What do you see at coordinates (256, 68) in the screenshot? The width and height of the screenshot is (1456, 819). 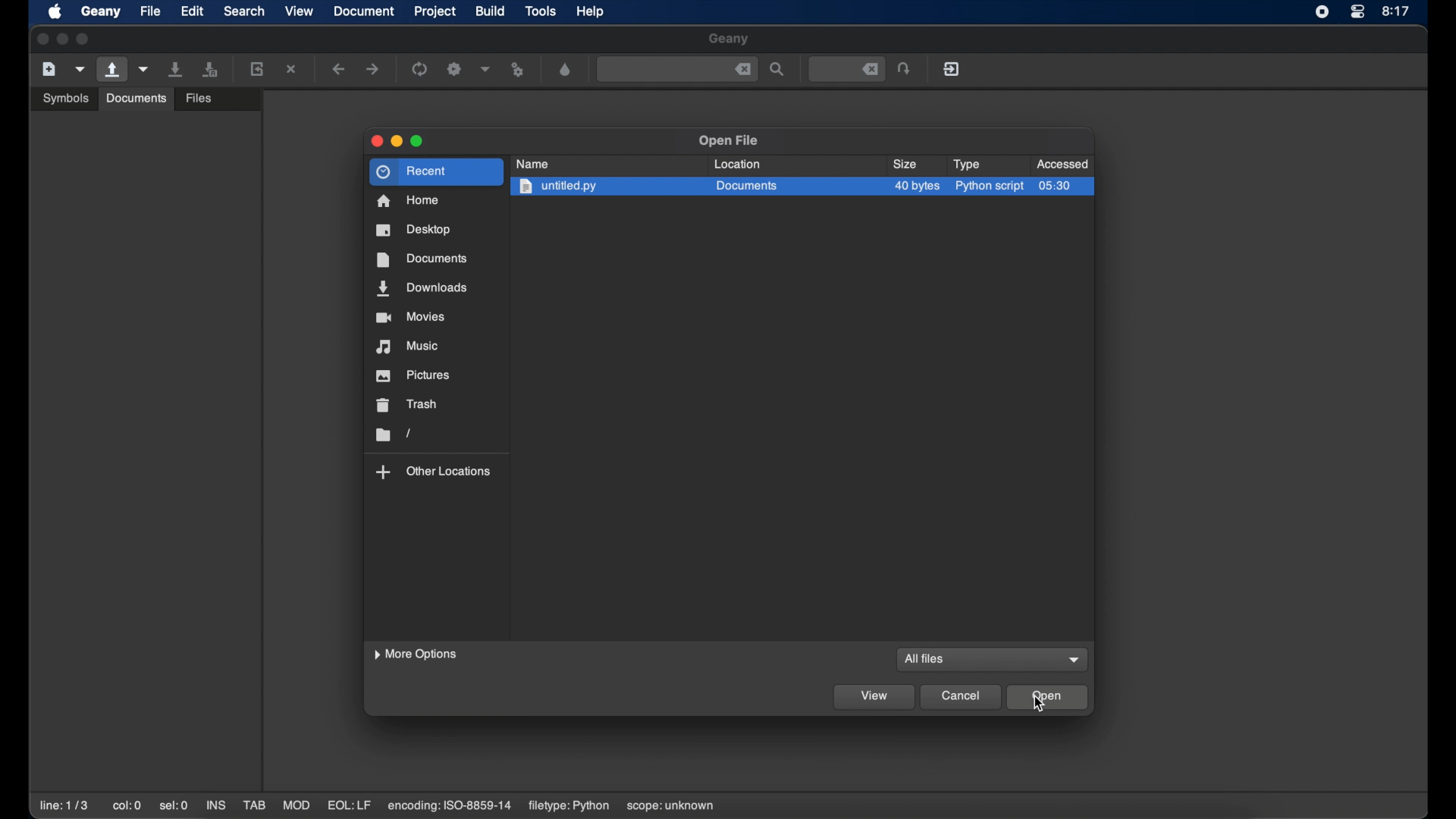 I see `reload the current file from disk` at bounding box center [256, 68].